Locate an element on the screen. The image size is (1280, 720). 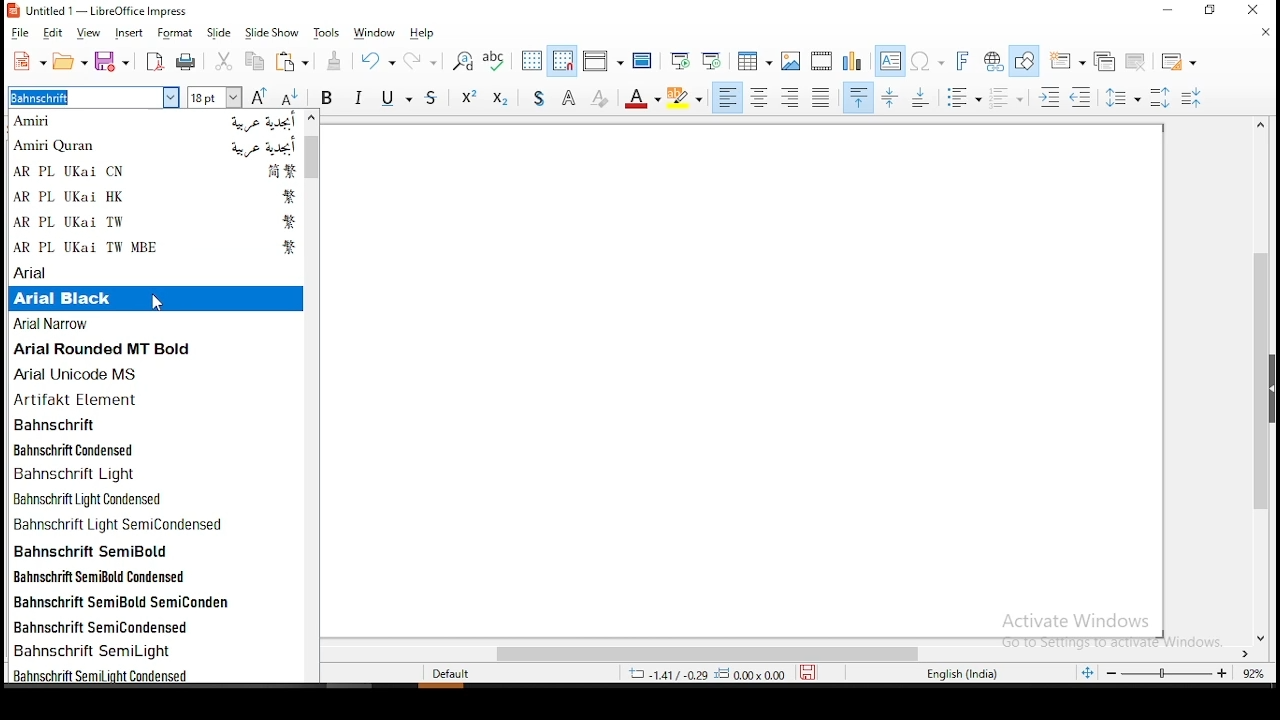
duplicate slide is located at coordinates (1108, 60).